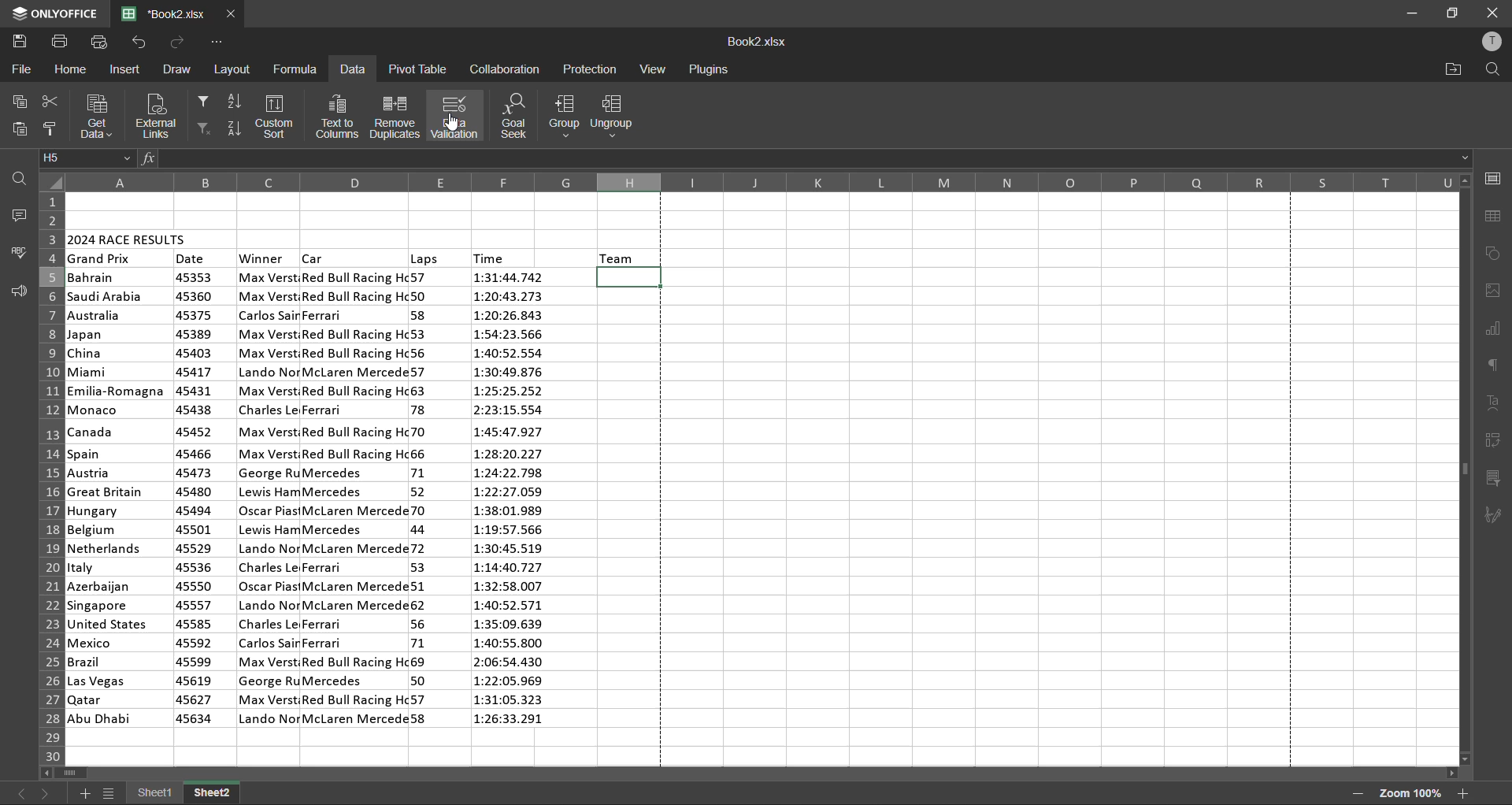 The height and width of the screenshot is (805, 1512). What do you see at coordinates (1495, 403) in the screenshot?
I see `text` at bounding box center [1495, 403].